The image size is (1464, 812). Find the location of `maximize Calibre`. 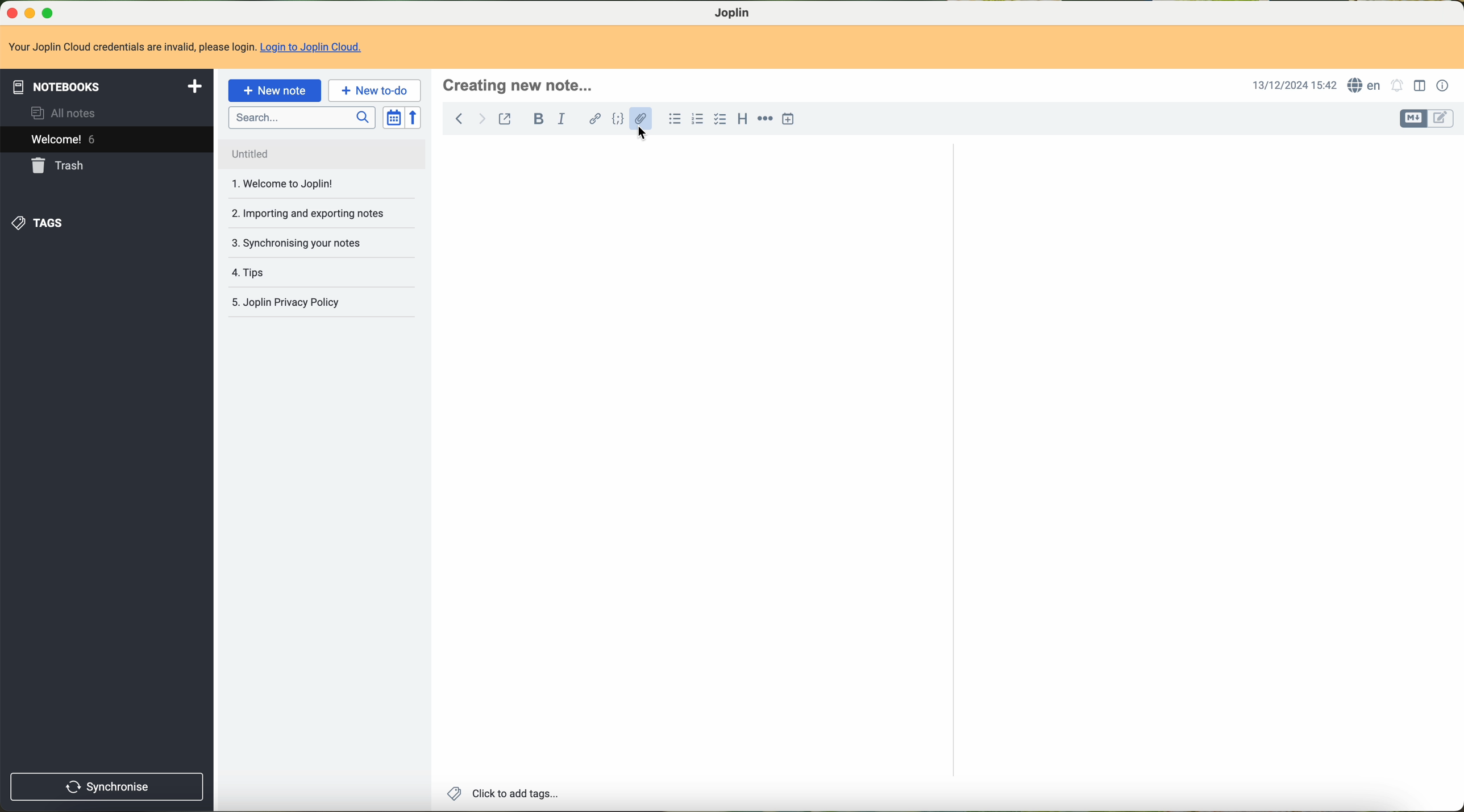

maximize Calibre is located at coordinates (50, 11).